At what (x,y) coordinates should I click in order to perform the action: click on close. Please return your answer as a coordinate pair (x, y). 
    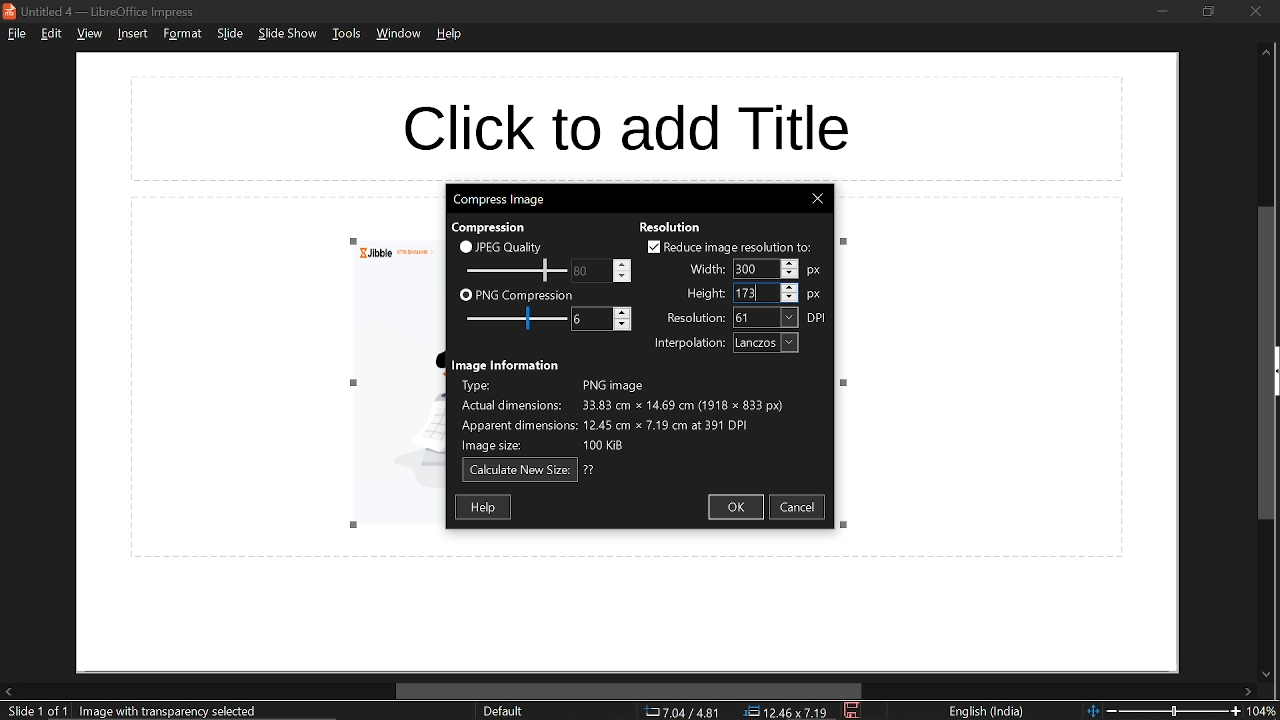
    Looking at the image, I should click on (819, 199).